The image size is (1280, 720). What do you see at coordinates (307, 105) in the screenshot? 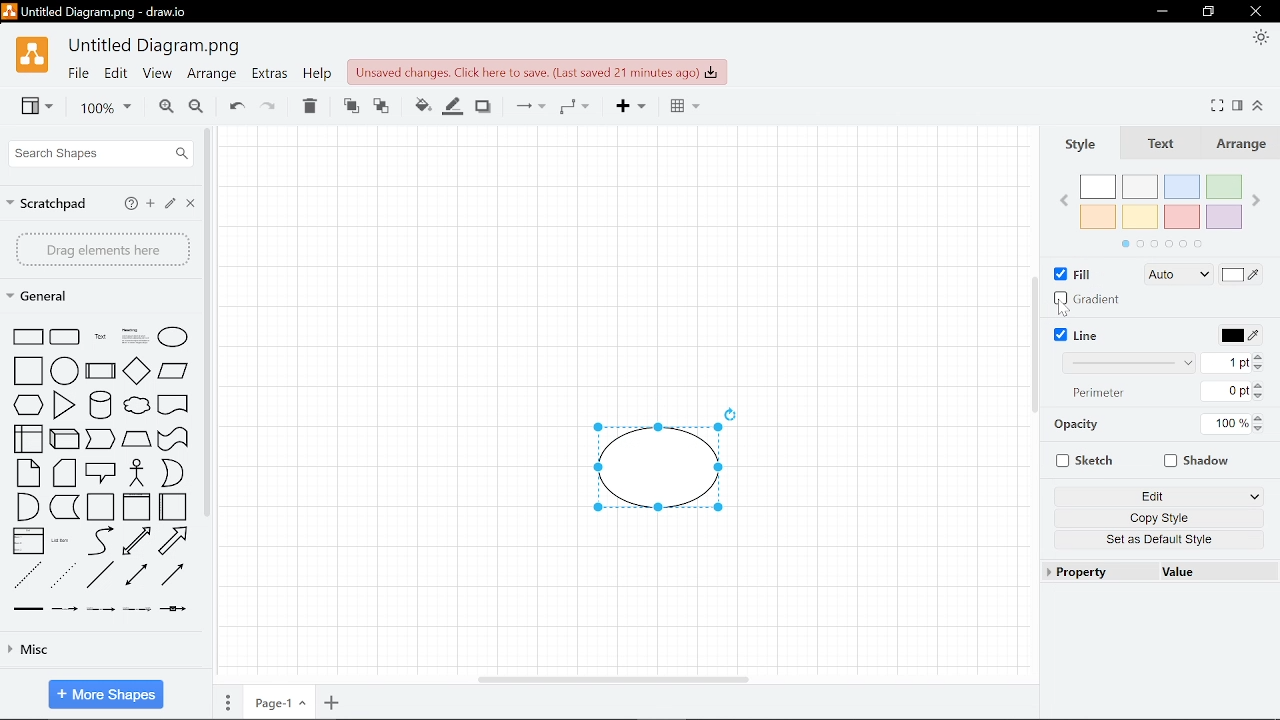
I see `Delete` at bounding box center [307, 105].